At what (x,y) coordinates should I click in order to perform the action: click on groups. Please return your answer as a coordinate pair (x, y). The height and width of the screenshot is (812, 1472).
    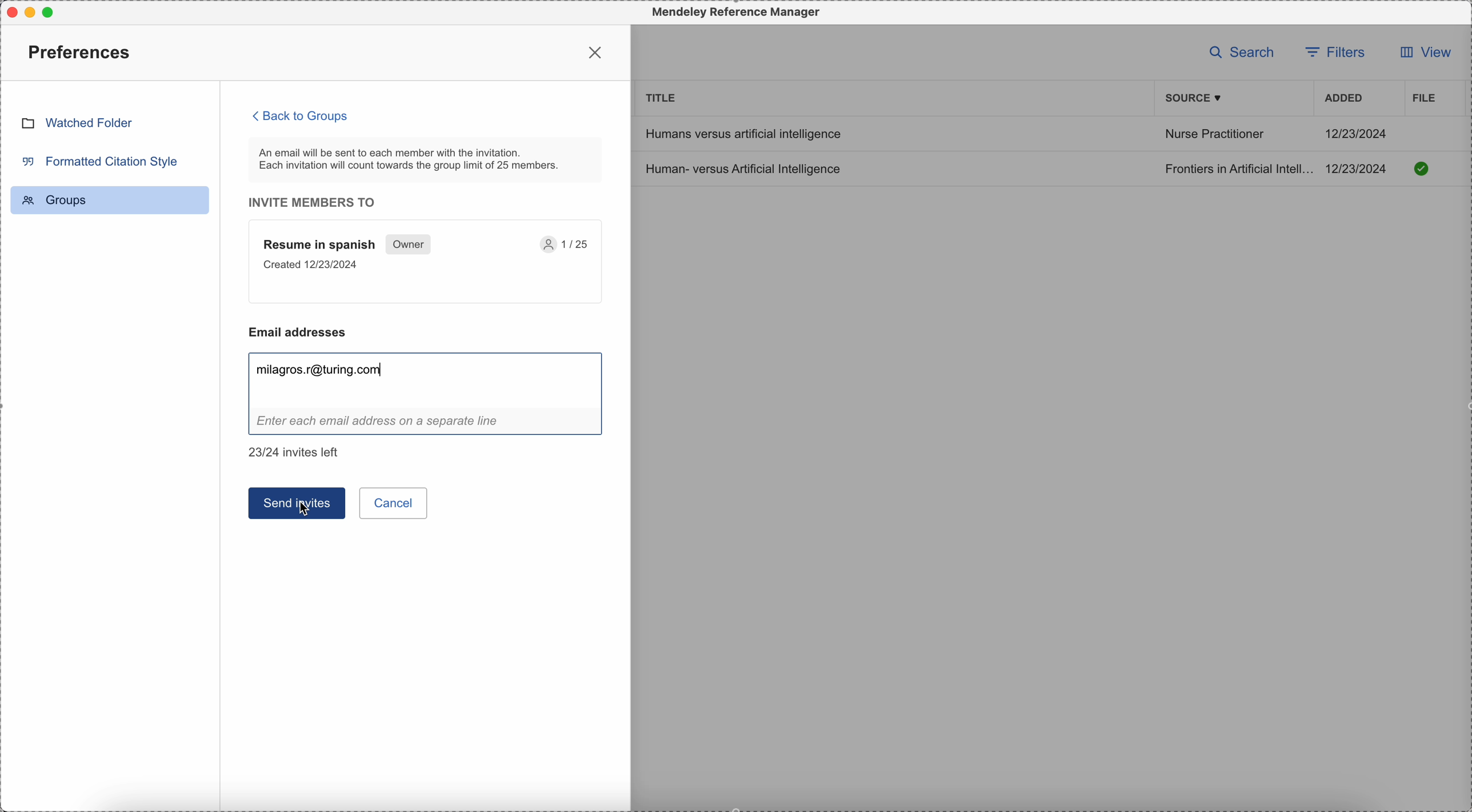
    Looking at the image, I should click on (110, 200).